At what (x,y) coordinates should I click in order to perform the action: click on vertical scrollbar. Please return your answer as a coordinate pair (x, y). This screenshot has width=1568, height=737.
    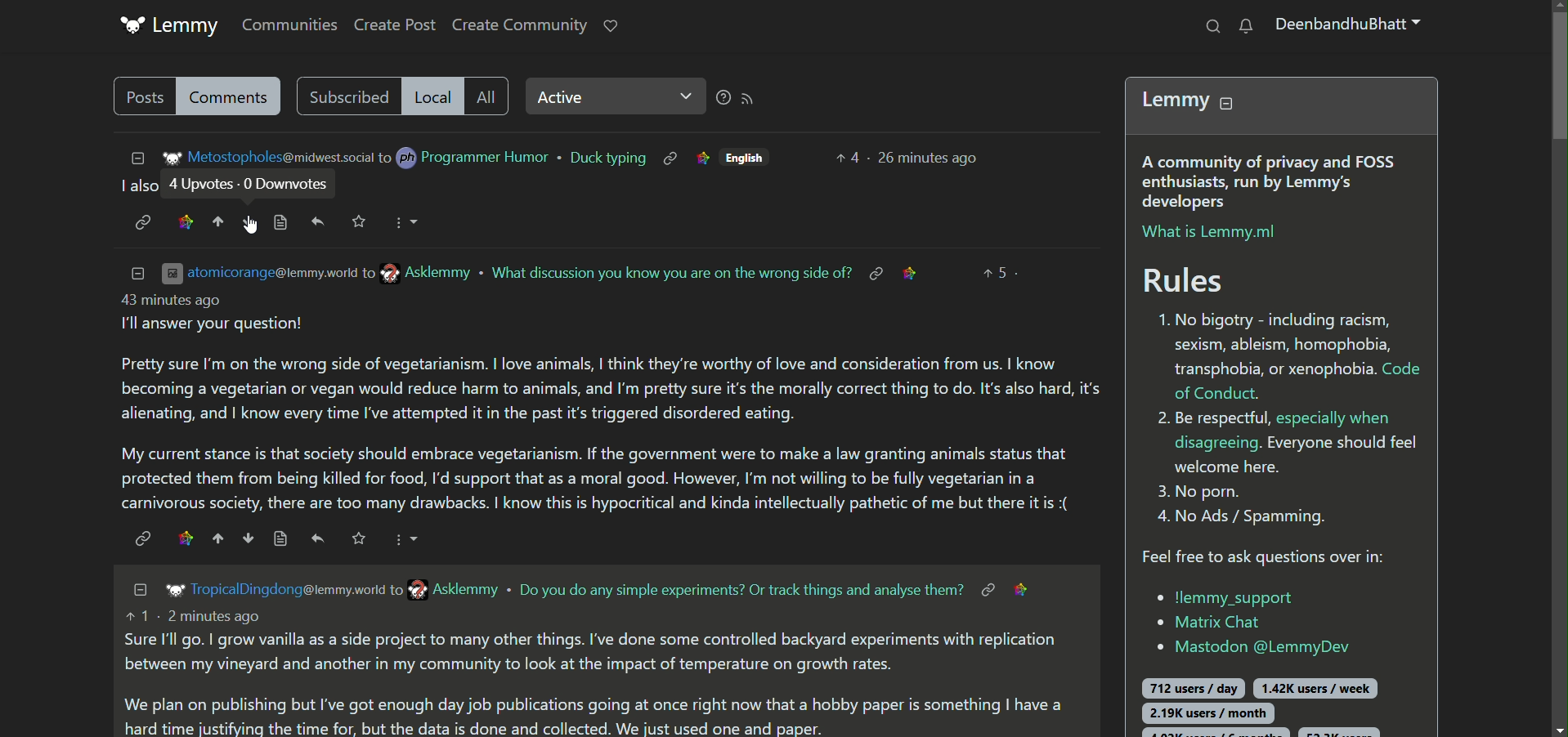
    Looking at the image, I should click on (1557, 368).